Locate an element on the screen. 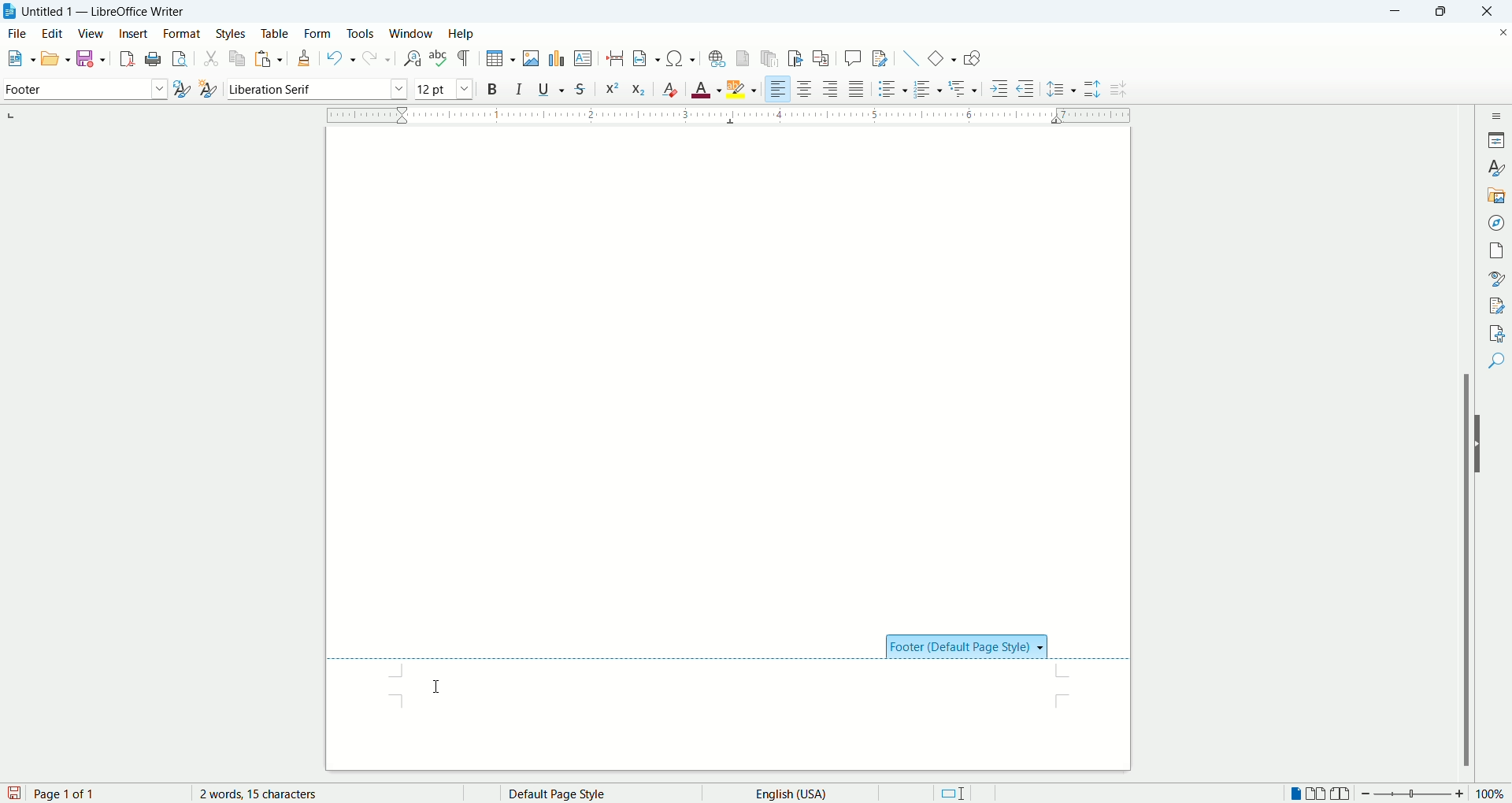 The width and height of the screenshot is (1512, 803). outline is located at coordinates (965, 87).